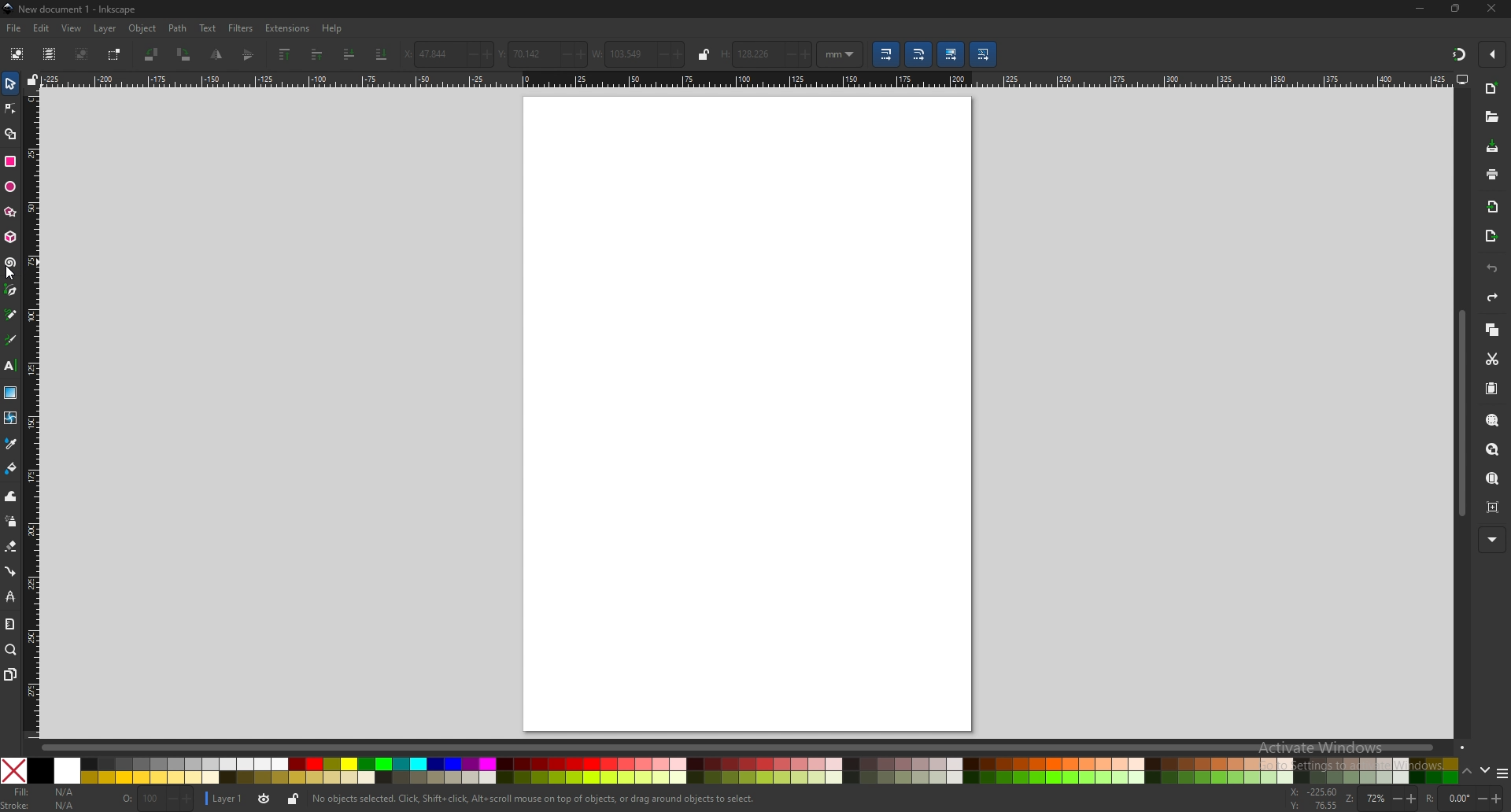 Image resolution: width=1511 pixels, height=812 pixels. What do you see at coordinates (1484, 770) in the screenshot?
I see `down` at bounding box center [1484, 770].